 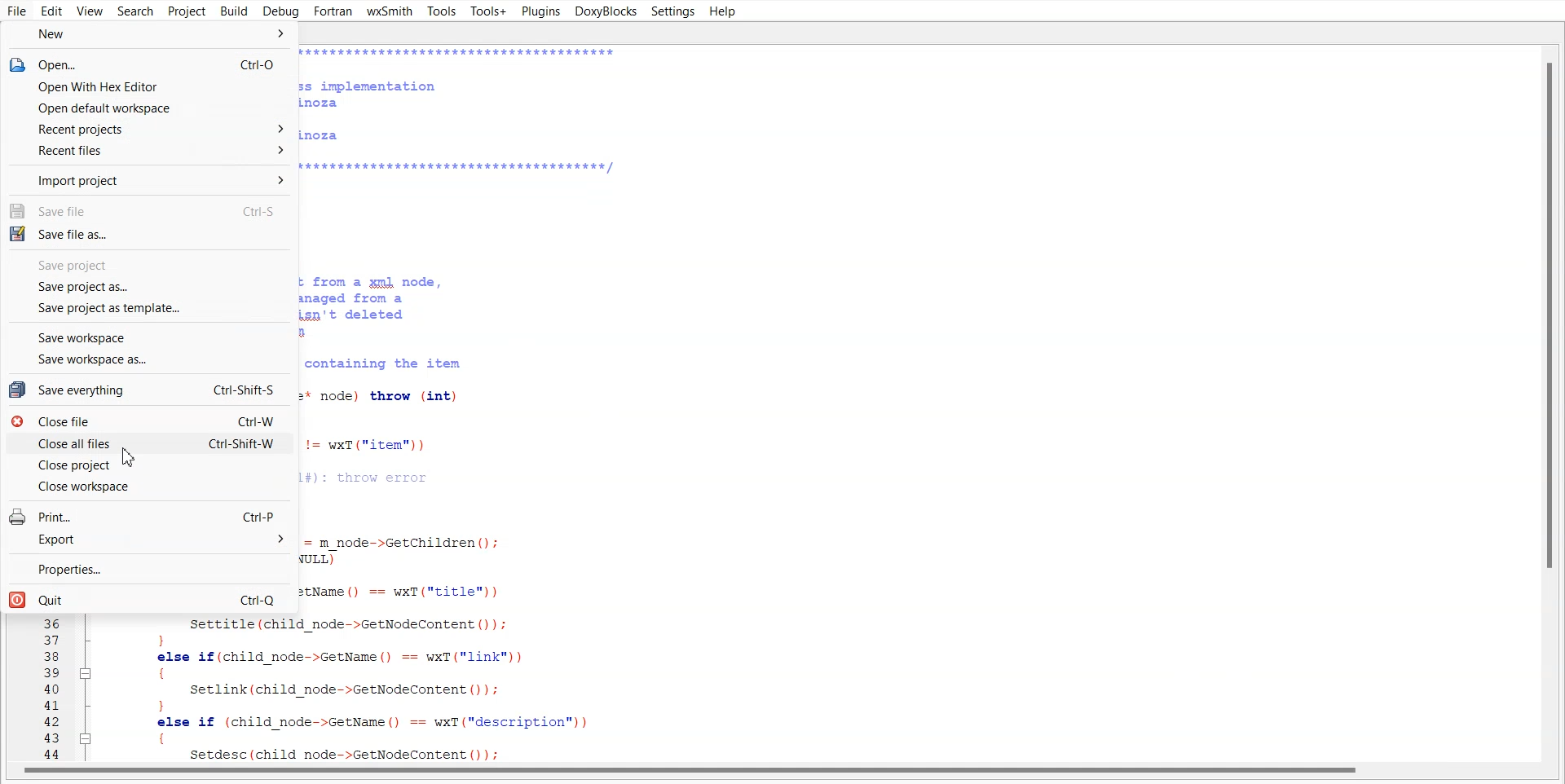 What do you see at coordinates (604, 11) in the screenshot?
I see `DoxyBlocks` at bounding box center [604, 11].